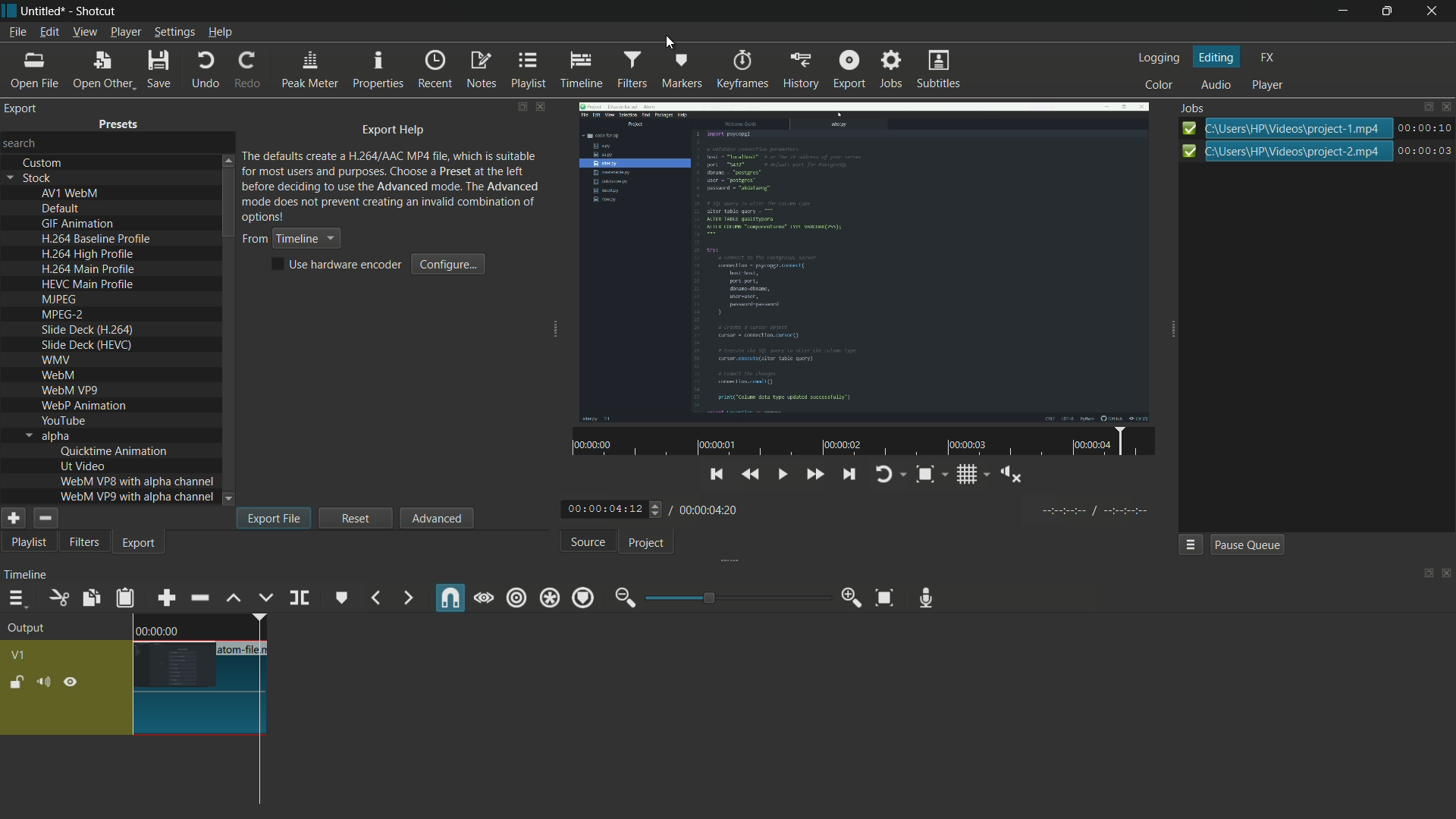 The width and height of the screenshot is (1456, 819). What do you see at coordinates (88, 270) in the screenshot?
I see `h.264 main profile` at bounding box center [88, 270].